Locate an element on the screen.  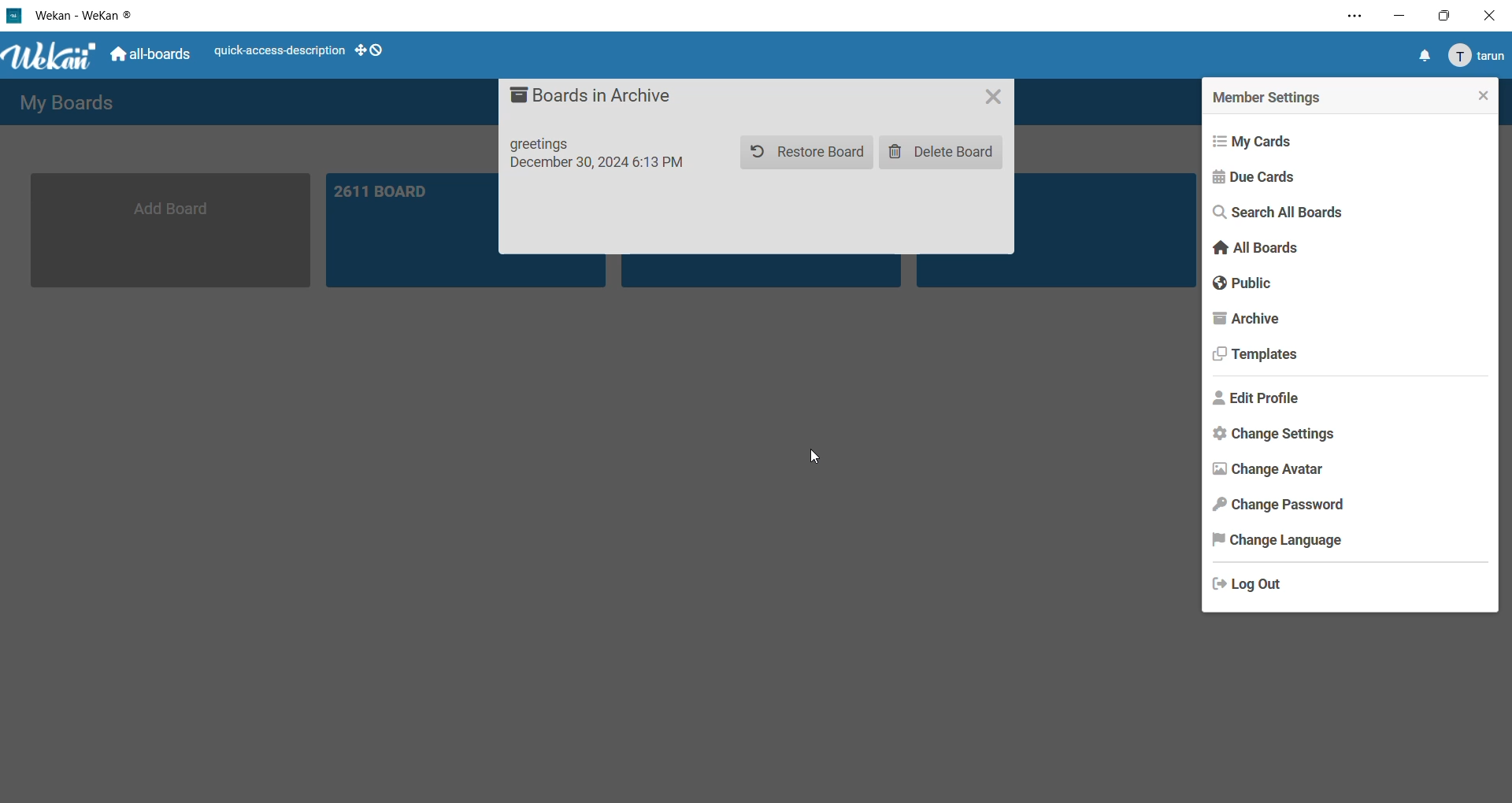
archive is located at coordinates (1251, 320).